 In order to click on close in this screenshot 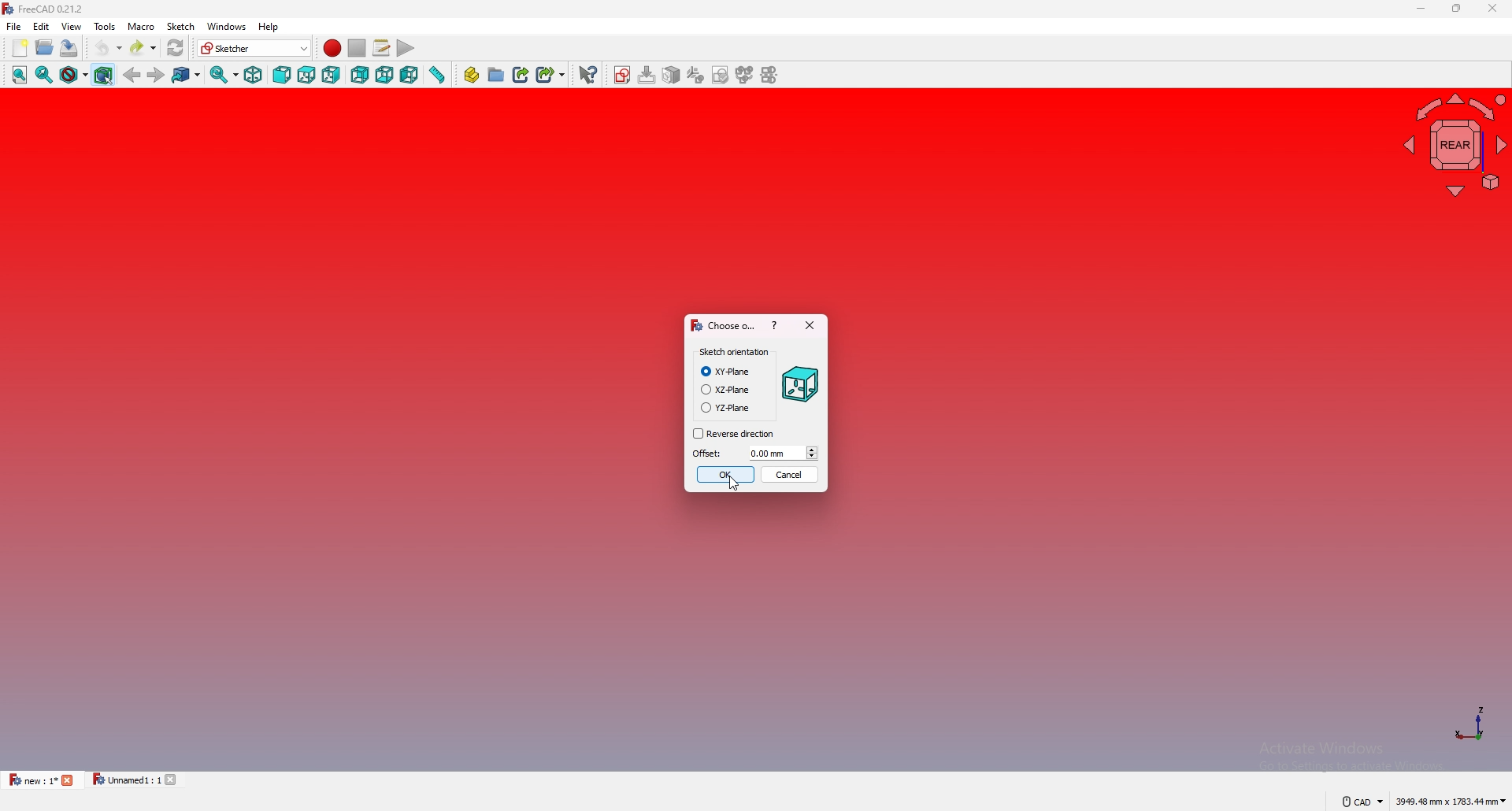, I will do `click(176, 779)`.